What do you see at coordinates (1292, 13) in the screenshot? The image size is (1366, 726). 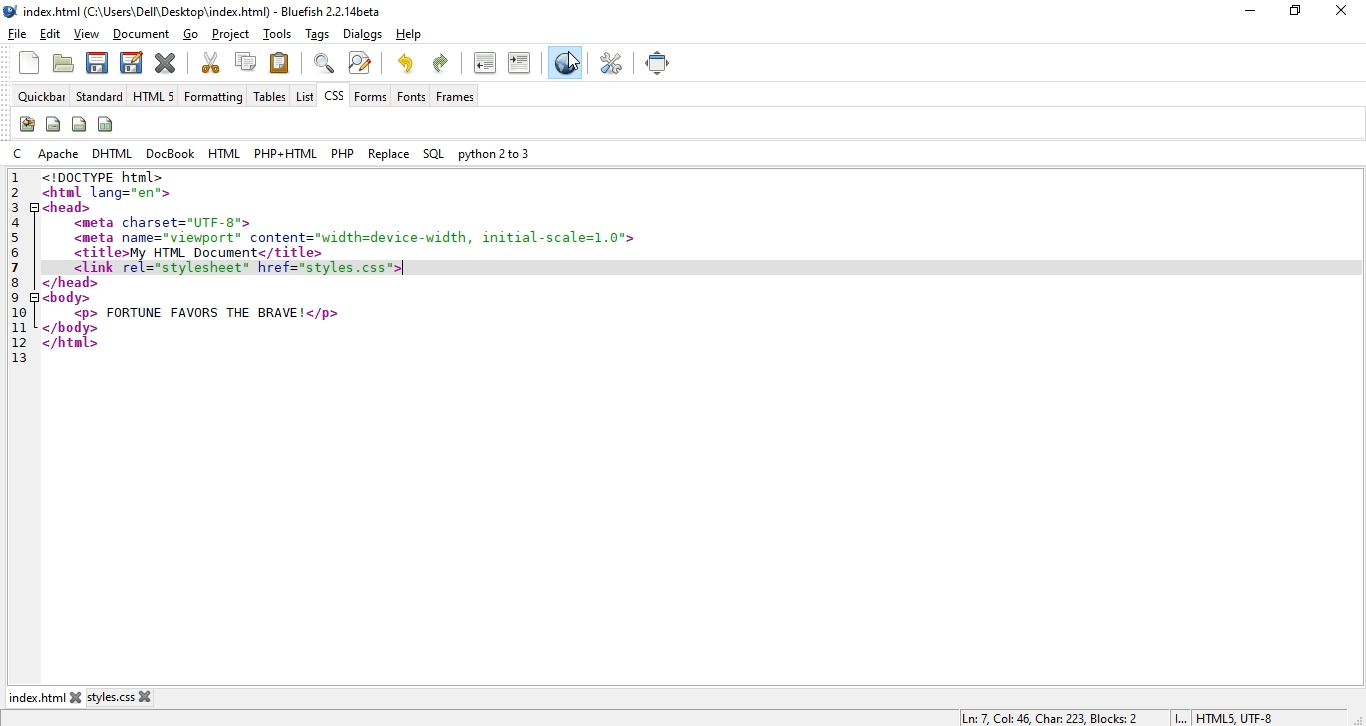 I see `restore window` at bounding box center [1292, 13].